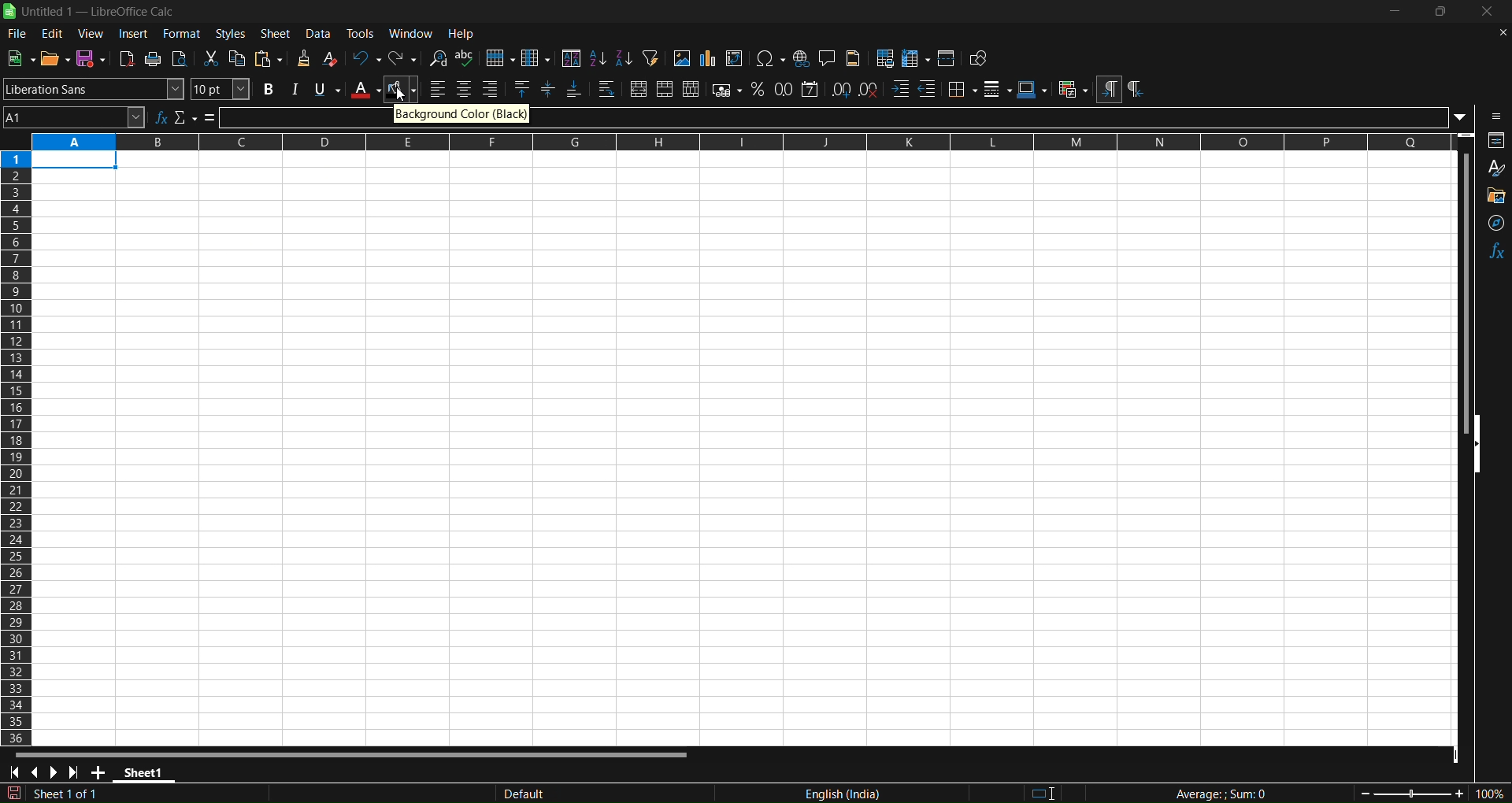 This screenshot has width=1512, height=803. I want to click on hide, so click(1481, 445).